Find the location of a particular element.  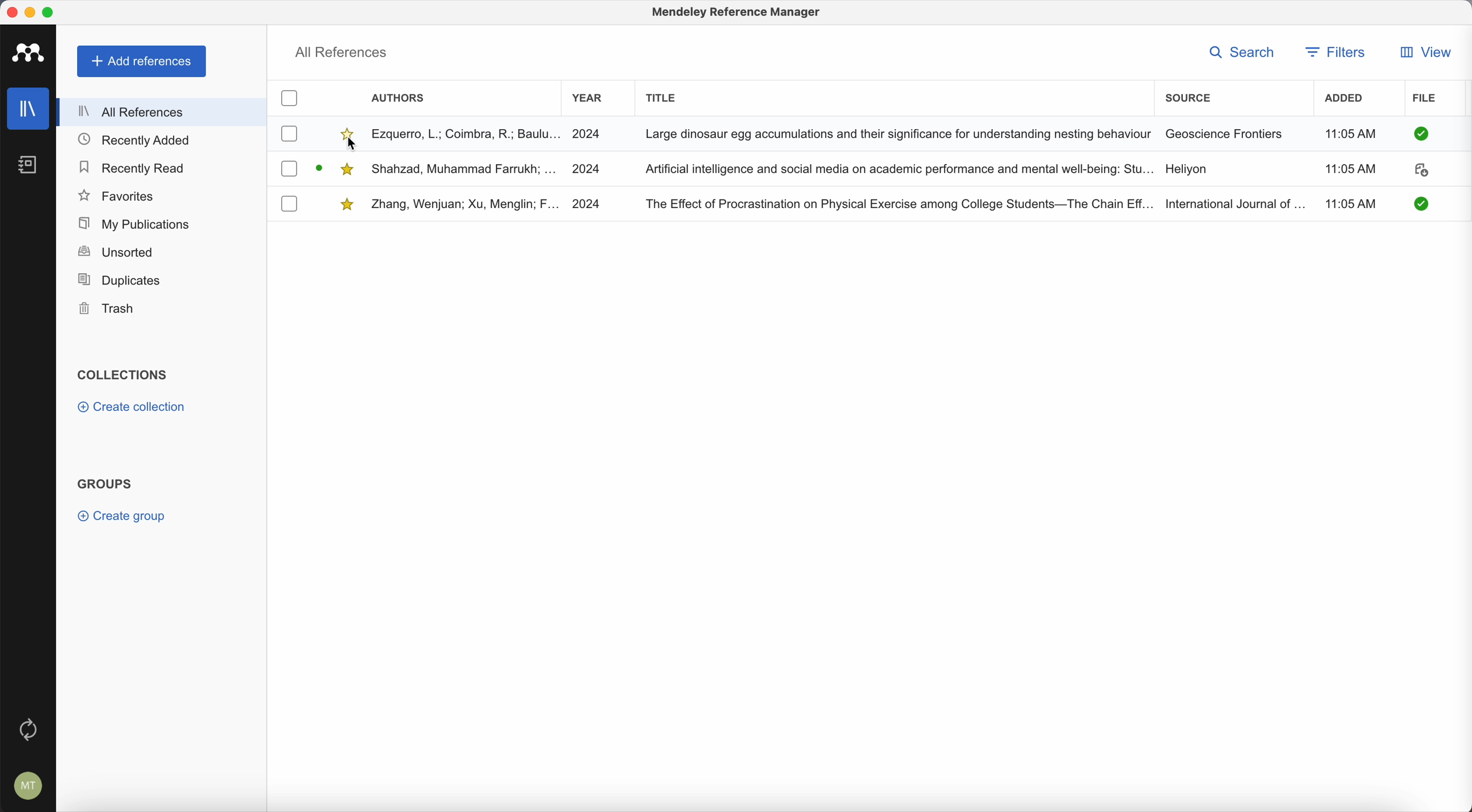

11:05 AM is located at coordinates (1349, 134).